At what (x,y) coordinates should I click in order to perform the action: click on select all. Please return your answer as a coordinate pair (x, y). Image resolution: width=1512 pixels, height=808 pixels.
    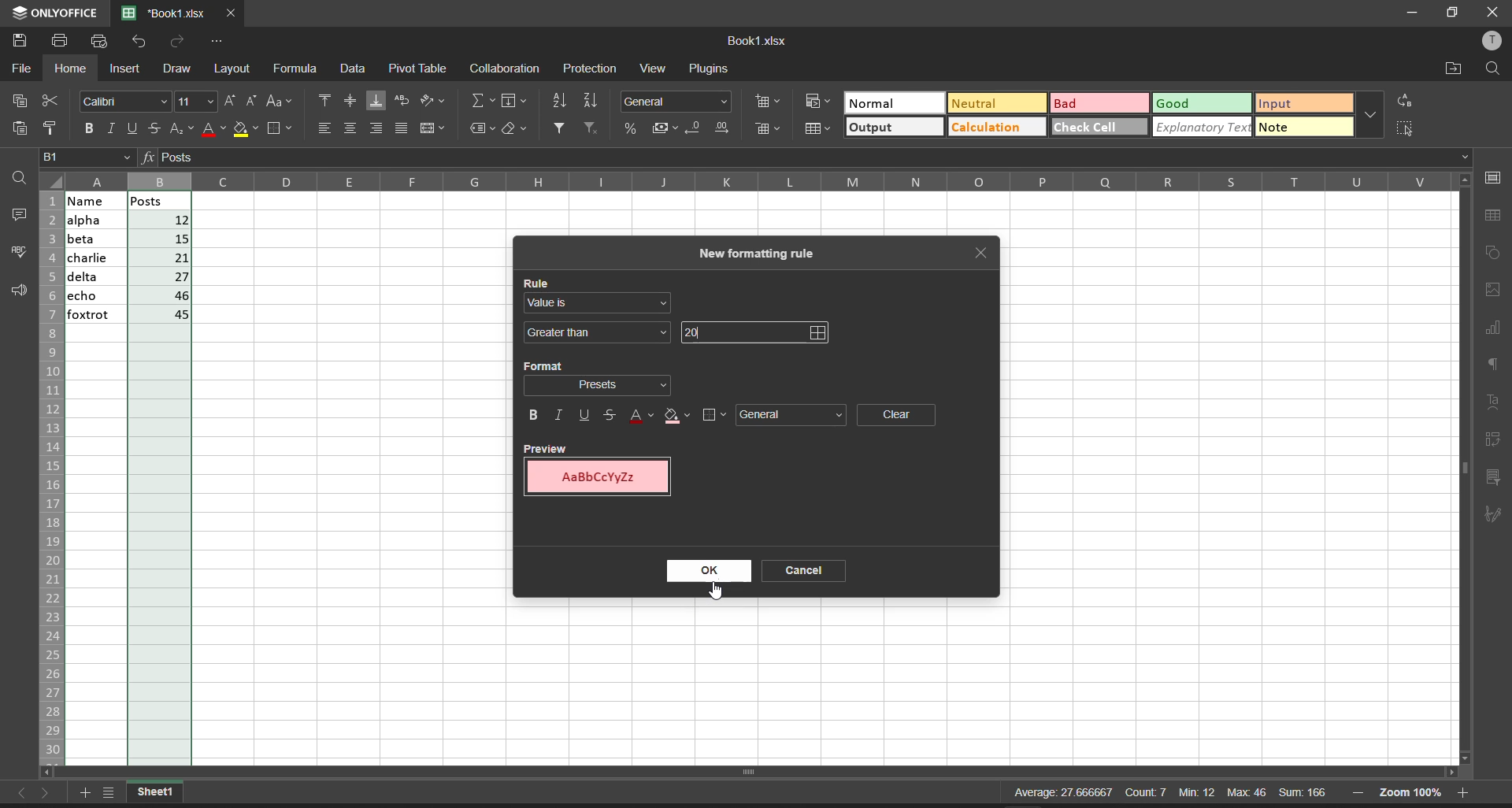
    Looking at the image, I should click on (57, 182).